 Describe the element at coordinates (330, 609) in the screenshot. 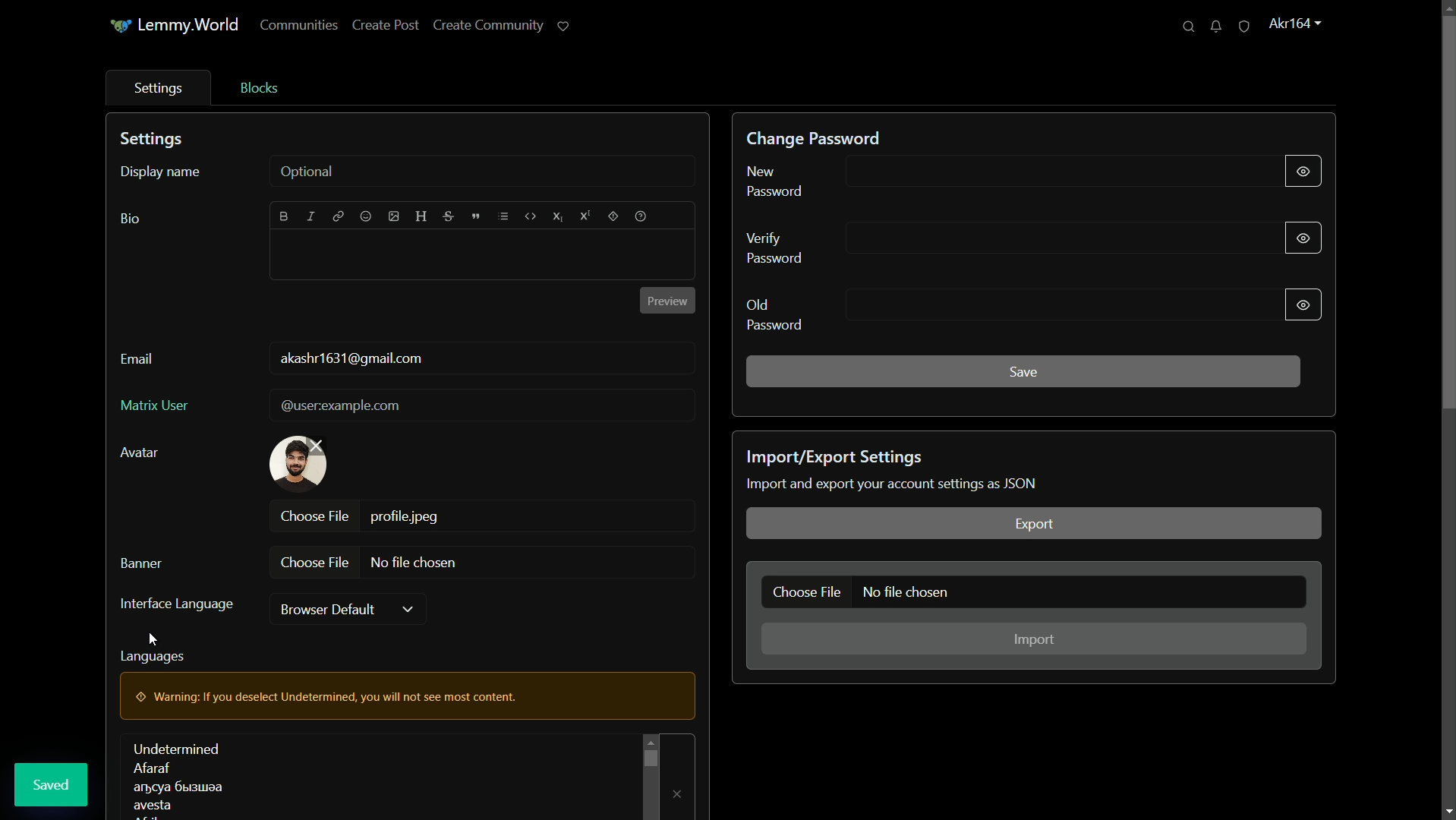

I see `browser default` at that location.